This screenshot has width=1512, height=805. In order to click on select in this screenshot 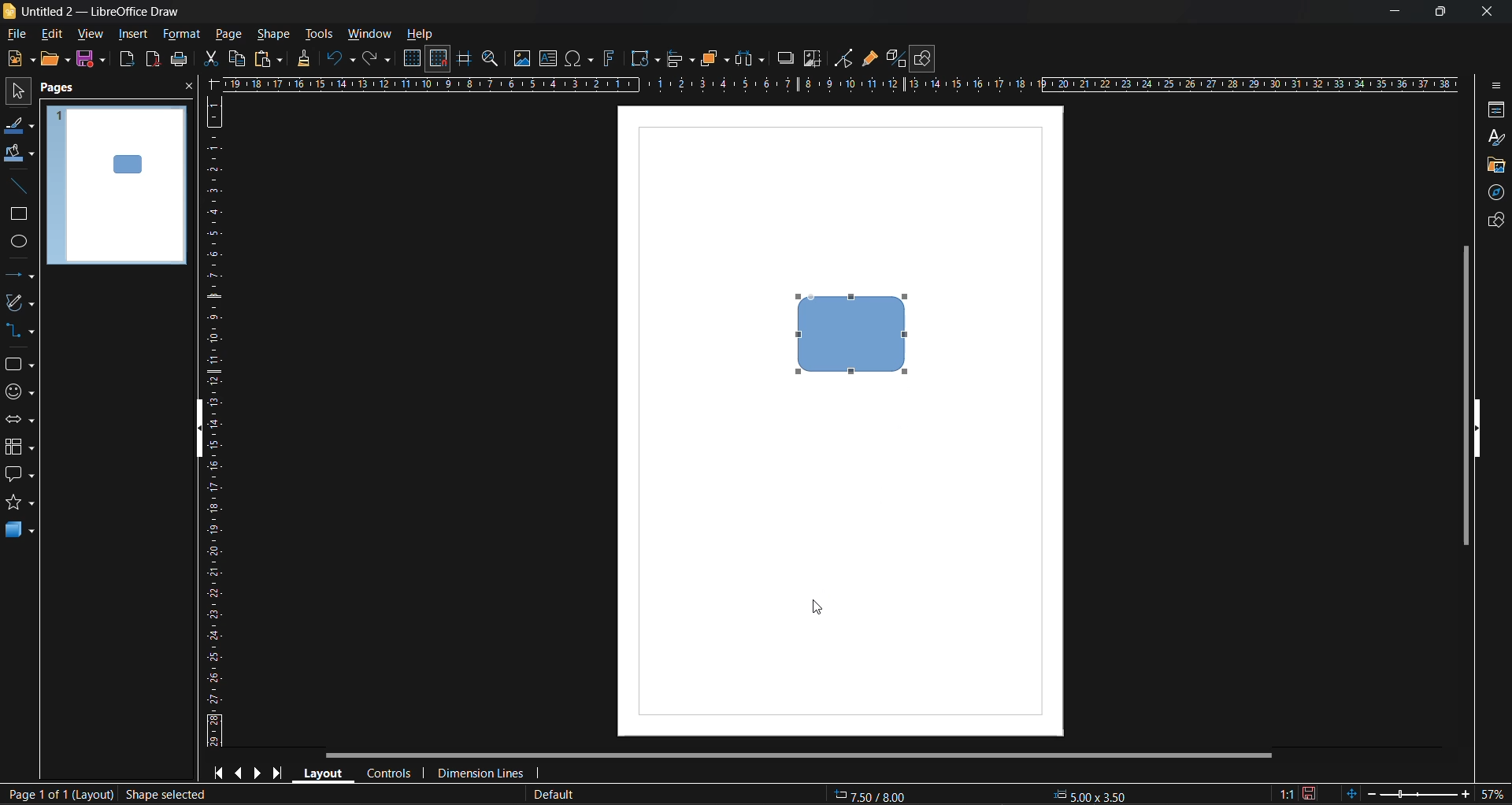, I will do `click(17, 88)`.